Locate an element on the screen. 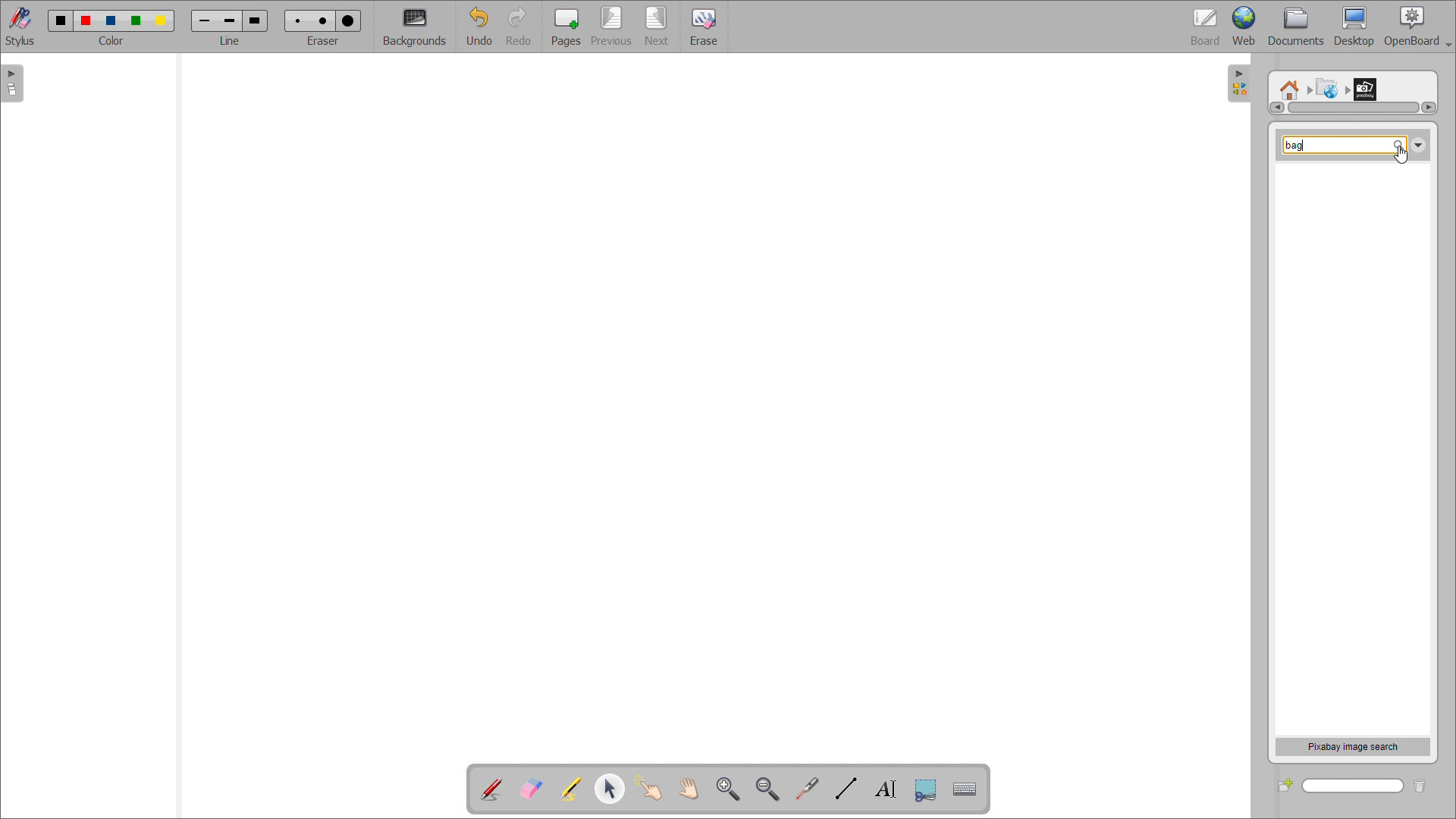 The width and height of the screenshot is (1456, 819). zoom out is located at coordinates (768, 789).